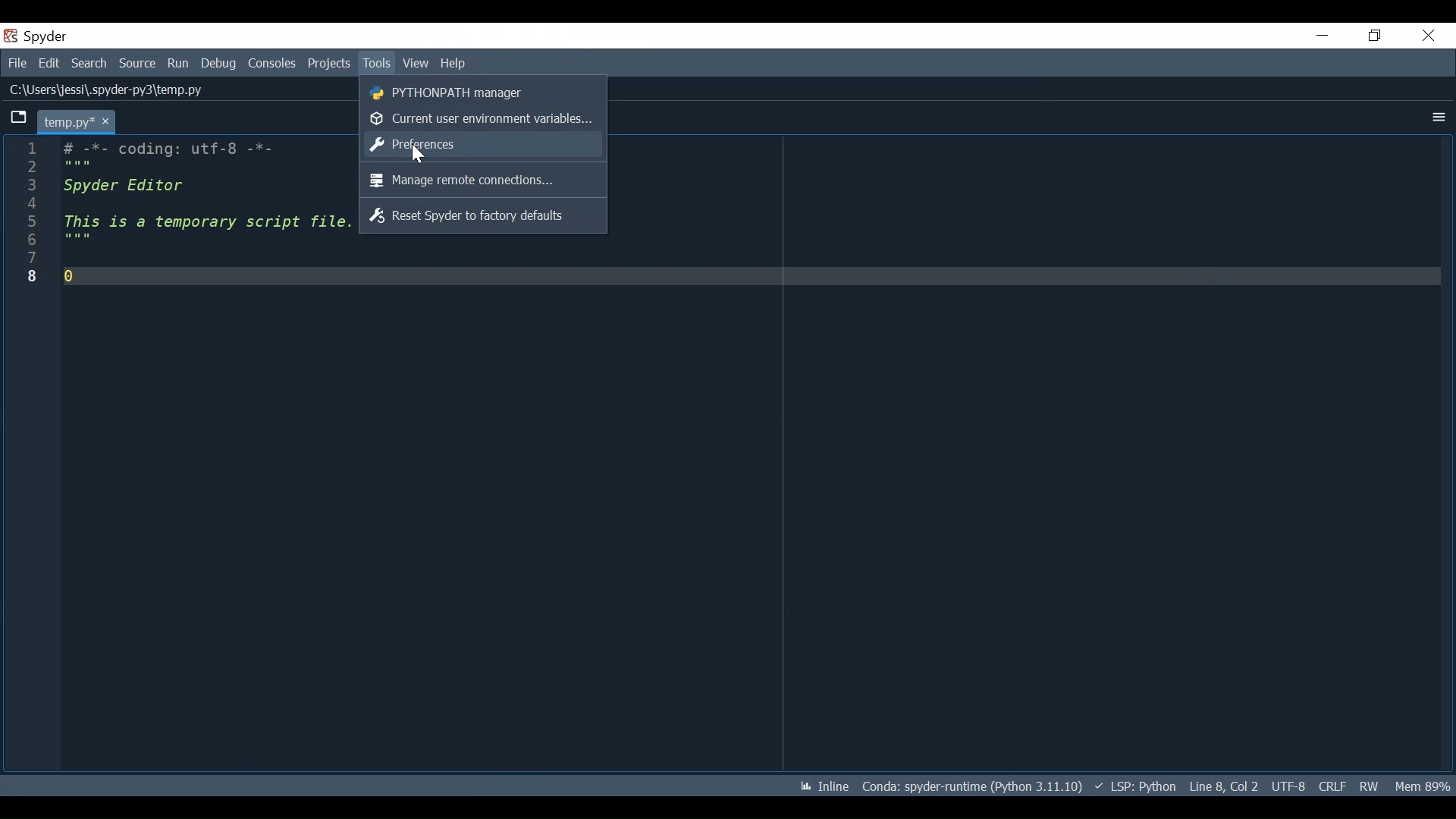 The image size is (1456, 819). I want to click on Manage remote connections, so click(486, 180).